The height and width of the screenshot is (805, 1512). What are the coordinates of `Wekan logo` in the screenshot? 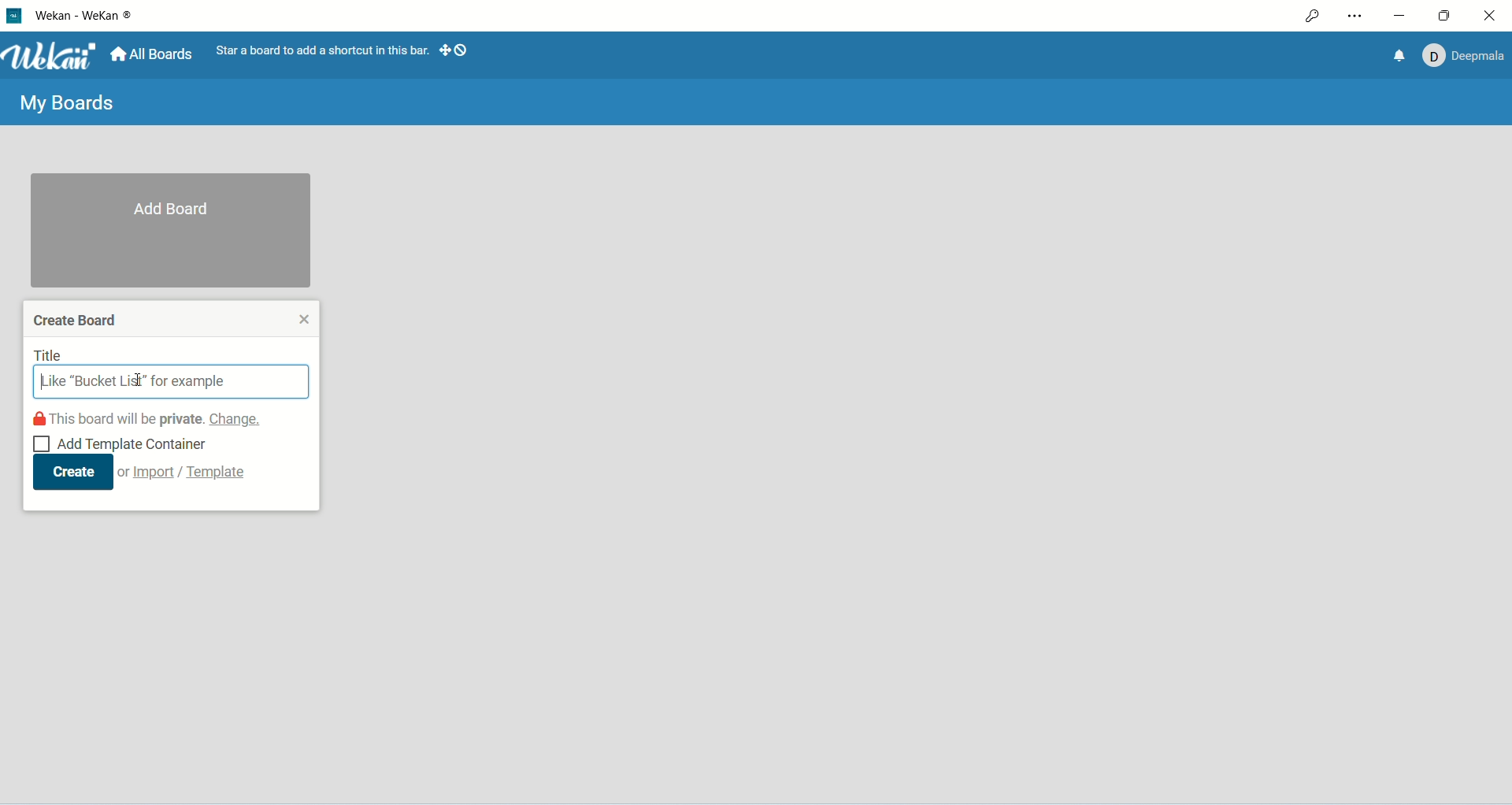 It's located at (49, 56).